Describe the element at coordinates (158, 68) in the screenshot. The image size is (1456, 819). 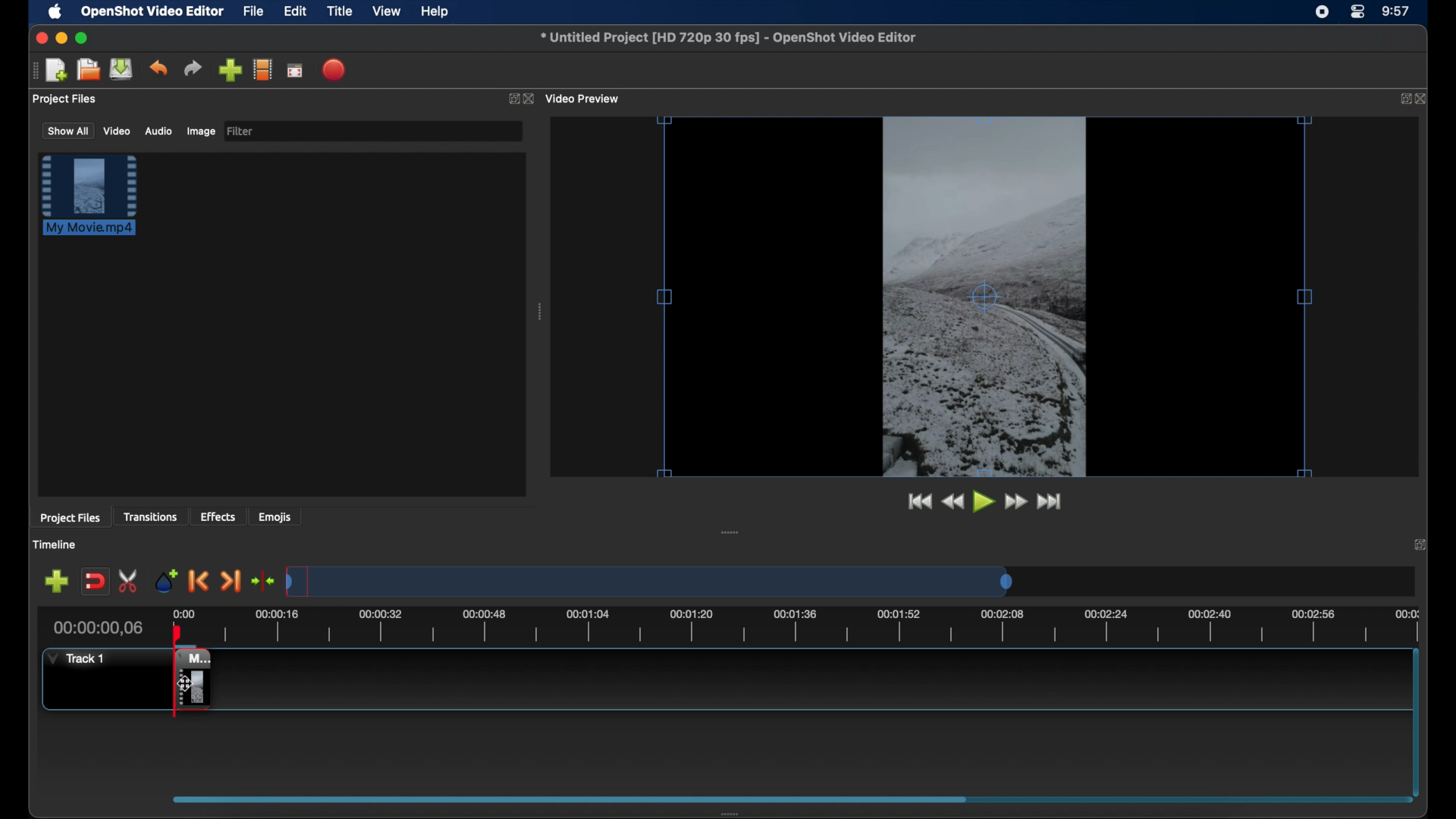
I see `undo` at that location.